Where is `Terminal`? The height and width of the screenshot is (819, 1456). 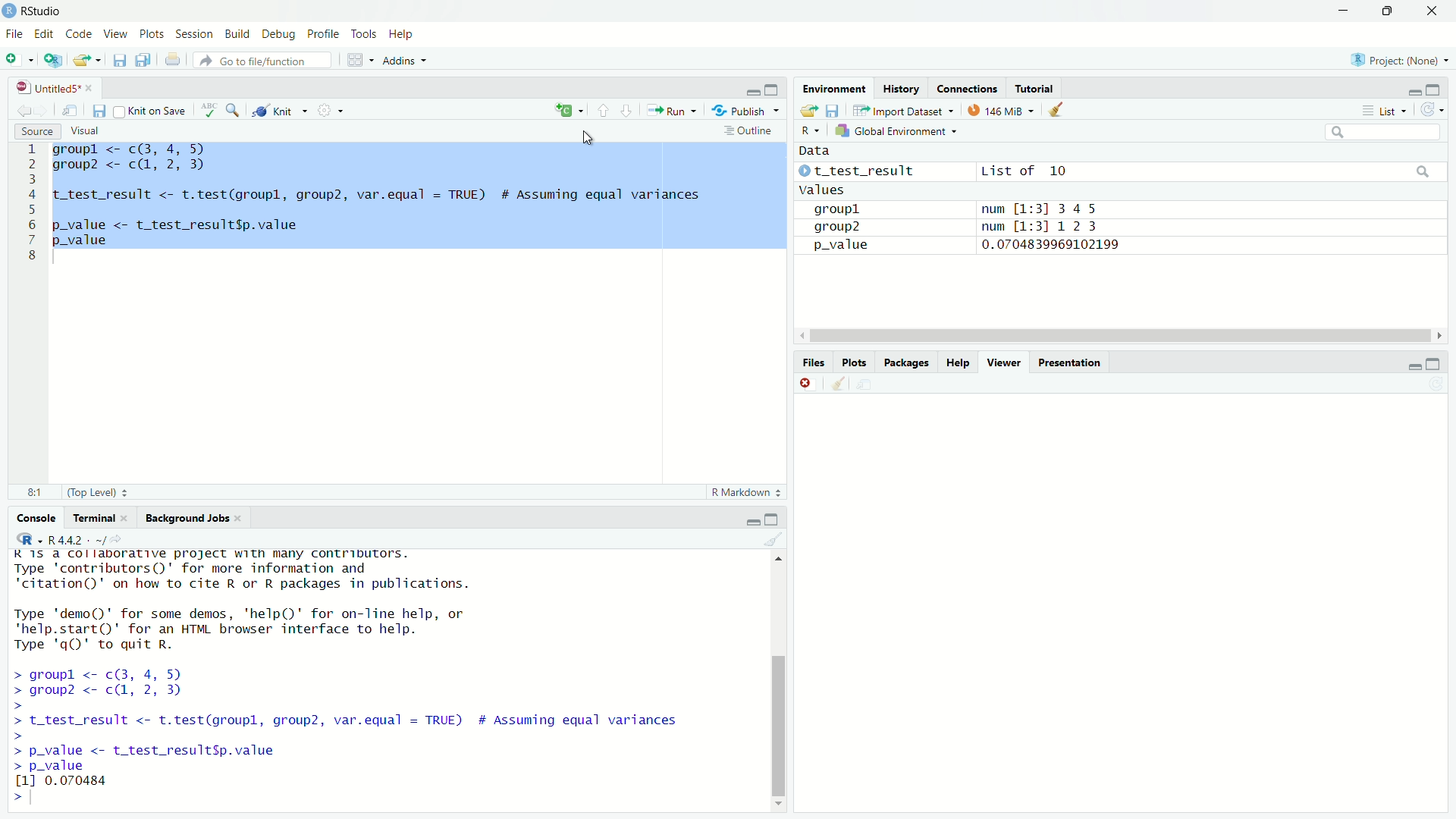 Terminal is located at coordinates (98, 517).